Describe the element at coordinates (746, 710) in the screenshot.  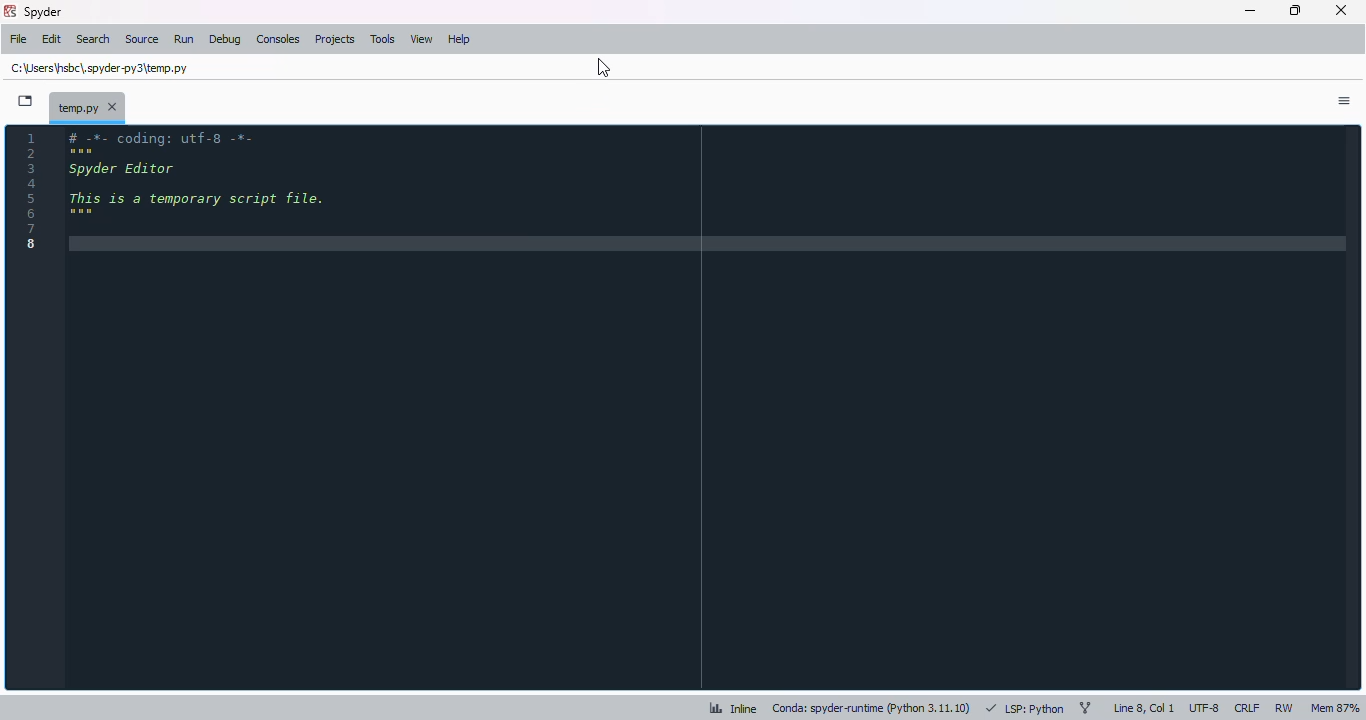
I see `Inline` at that location.